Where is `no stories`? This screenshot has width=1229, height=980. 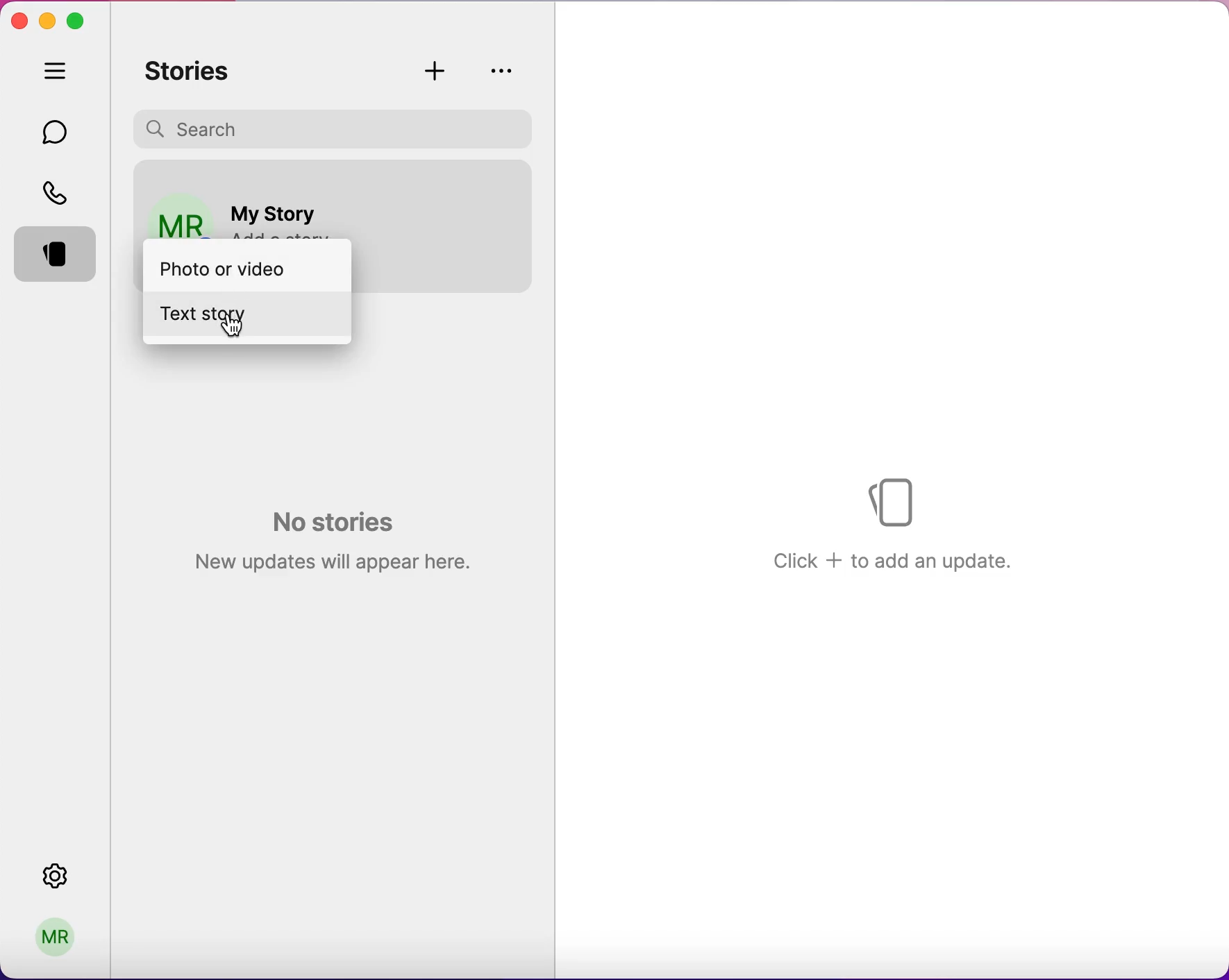
no stories is located at coordinates (328, 538).